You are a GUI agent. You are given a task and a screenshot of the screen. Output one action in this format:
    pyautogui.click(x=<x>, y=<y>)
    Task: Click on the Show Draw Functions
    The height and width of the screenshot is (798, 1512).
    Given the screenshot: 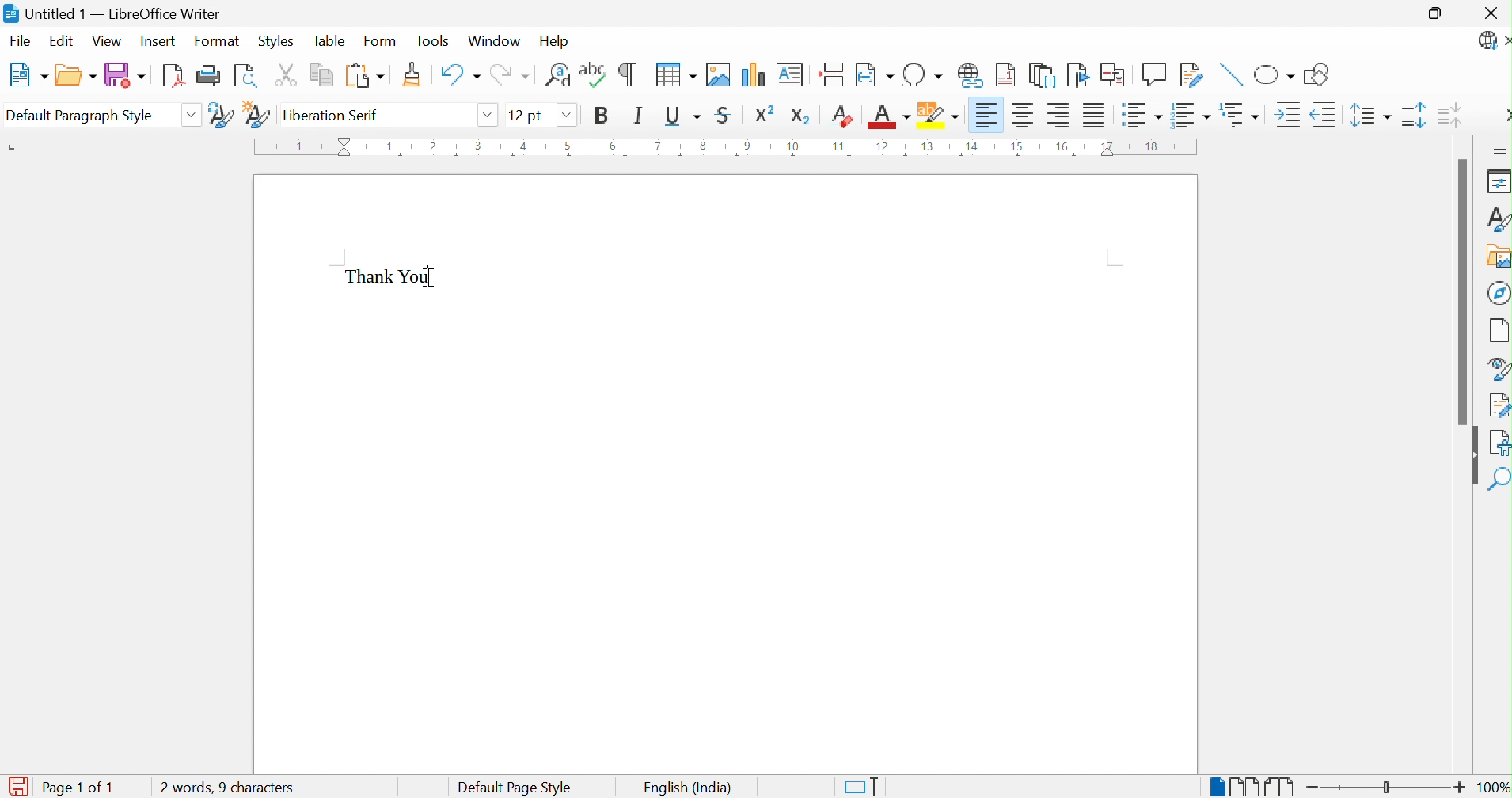 What is the action you would take?
    pyautogui.click(x=1318, y=74)
    